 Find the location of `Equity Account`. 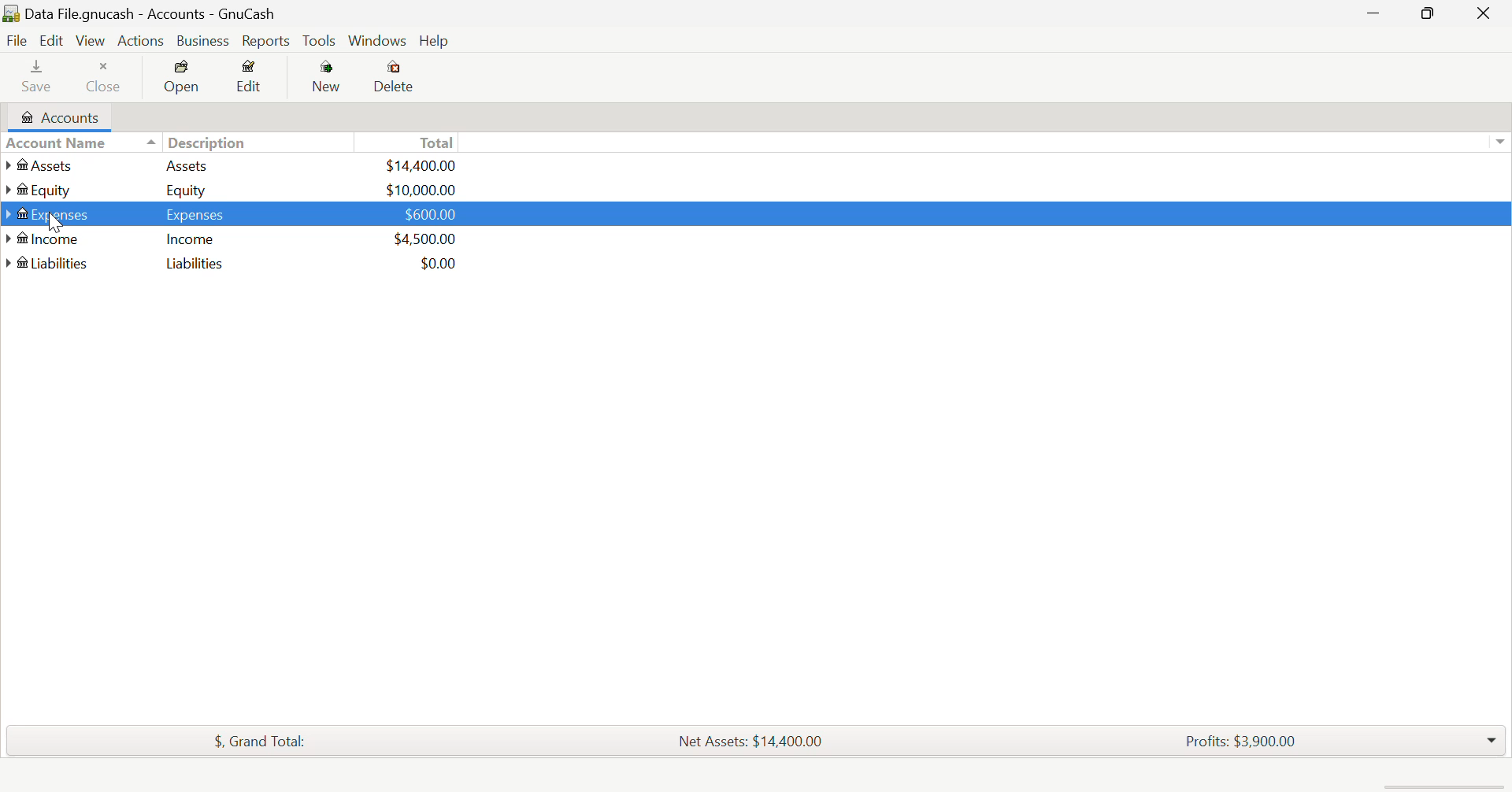

Equity Account is located at coordinates (37, 191).